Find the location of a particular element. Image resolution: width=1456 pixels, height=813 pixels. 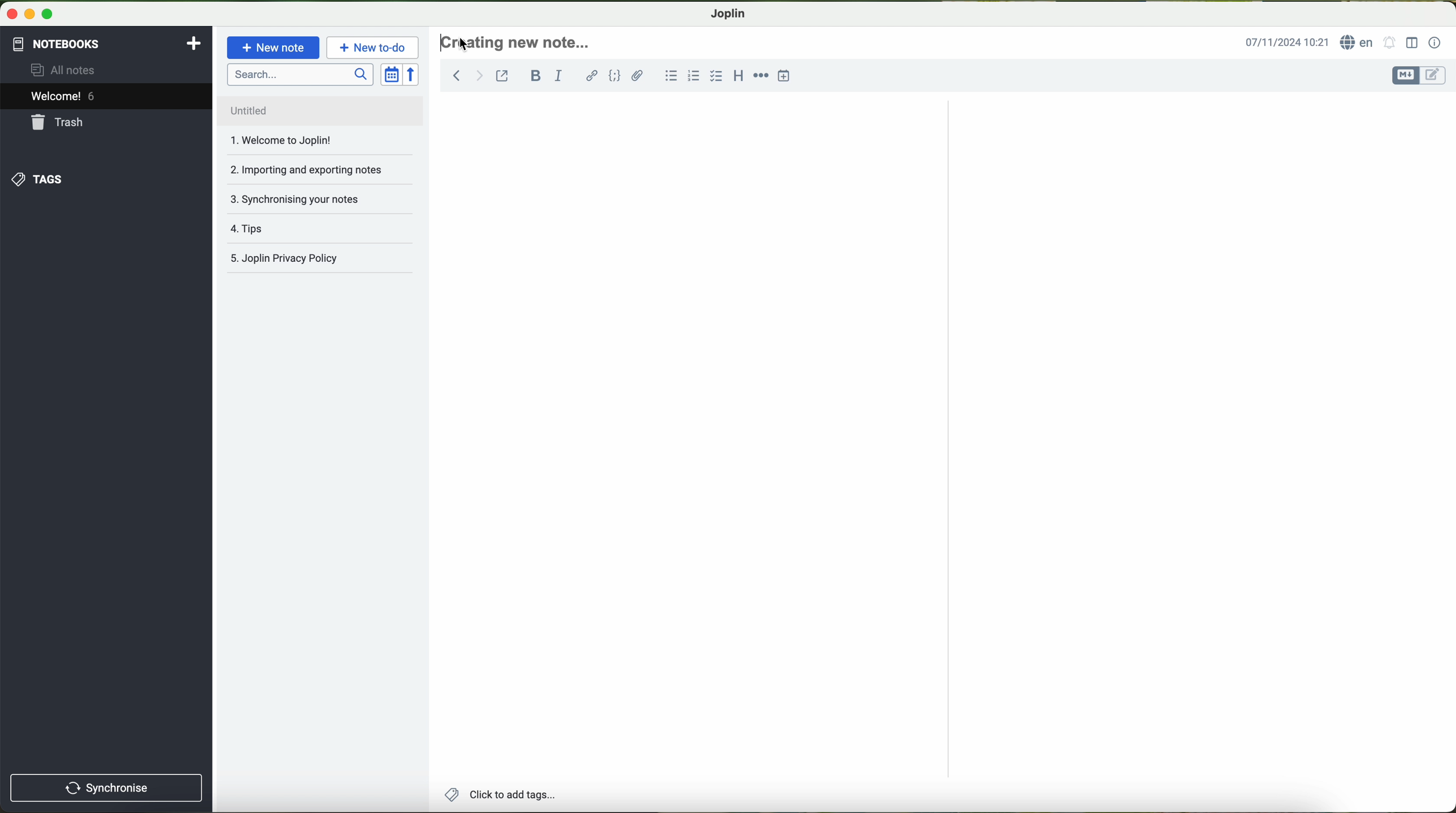

bold is located at coordinates (536, 76).